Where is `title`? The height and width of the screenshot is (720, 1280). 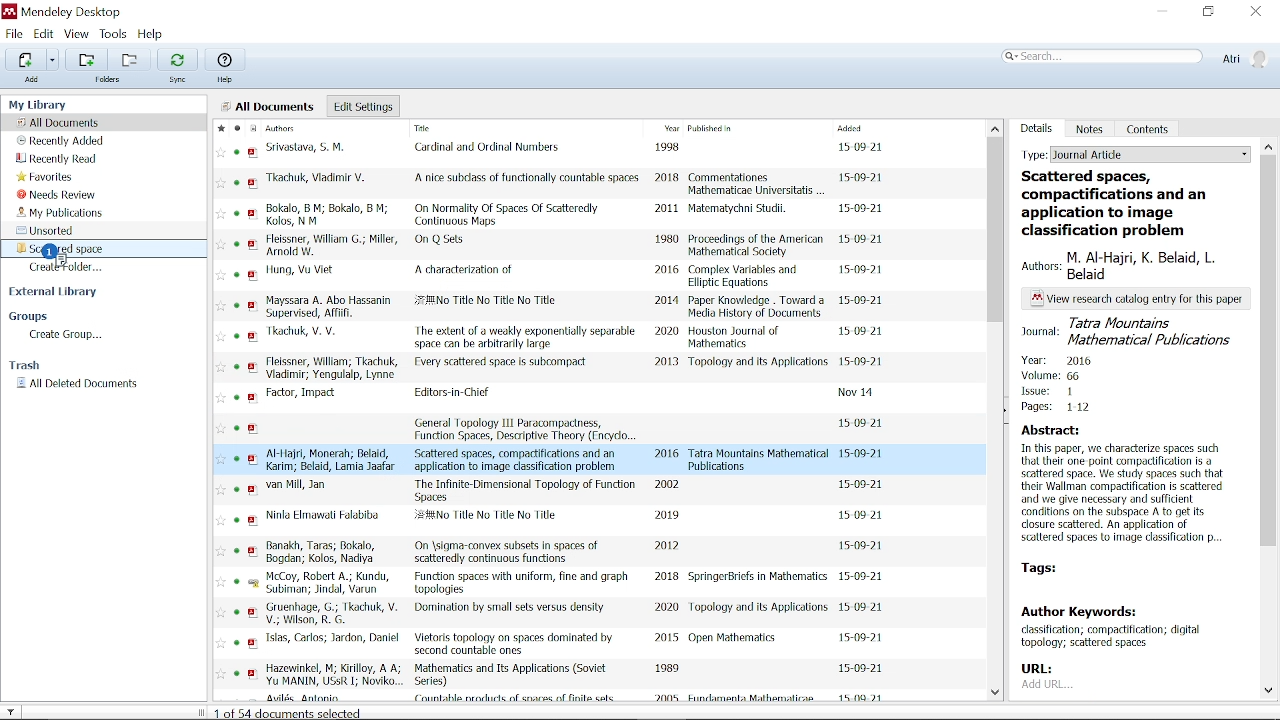
title is located at coordinates (488, 303).